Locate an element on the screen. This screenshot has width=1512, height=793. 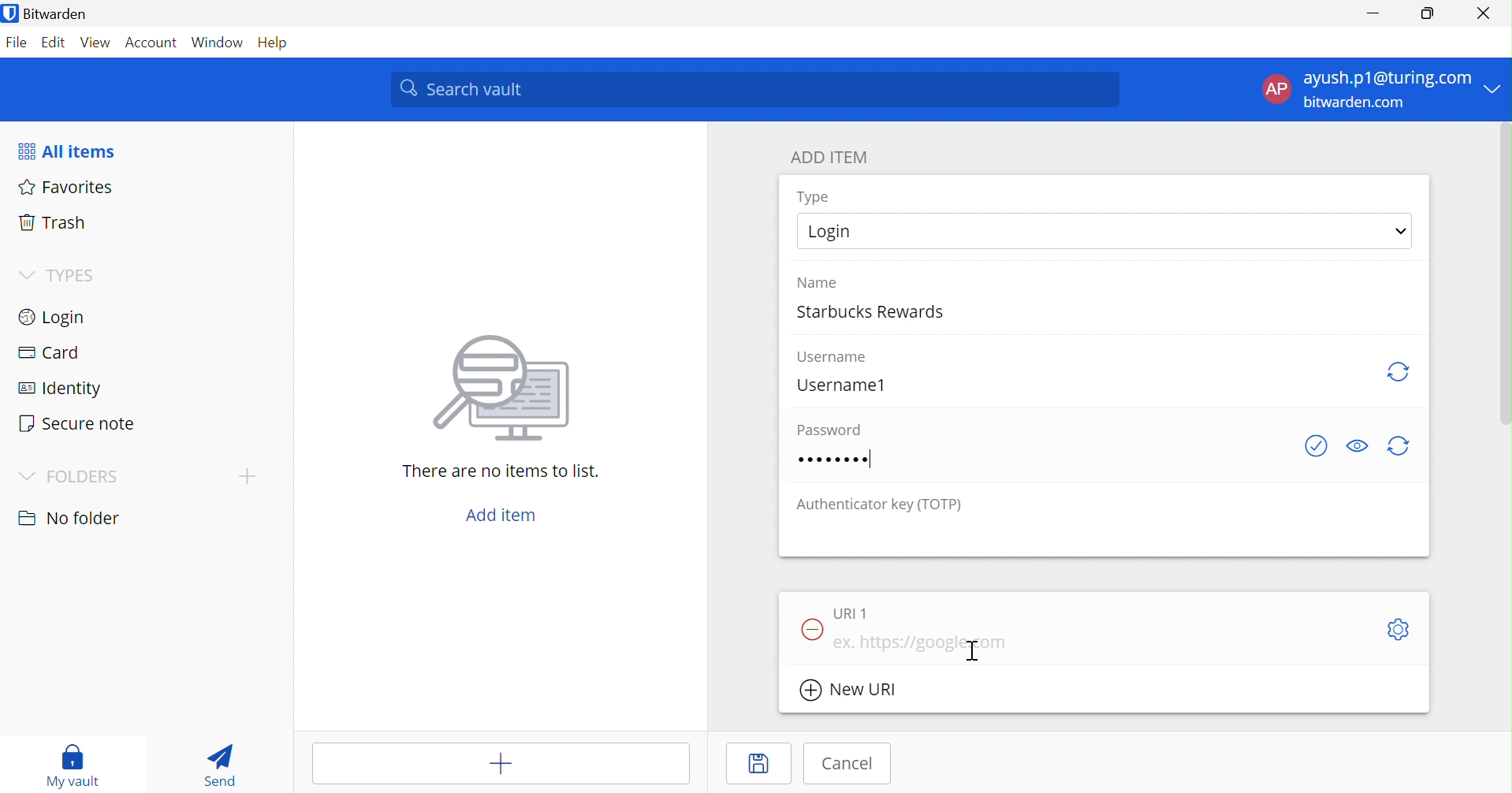
Restore Down is located at coordinates (1428, 11).